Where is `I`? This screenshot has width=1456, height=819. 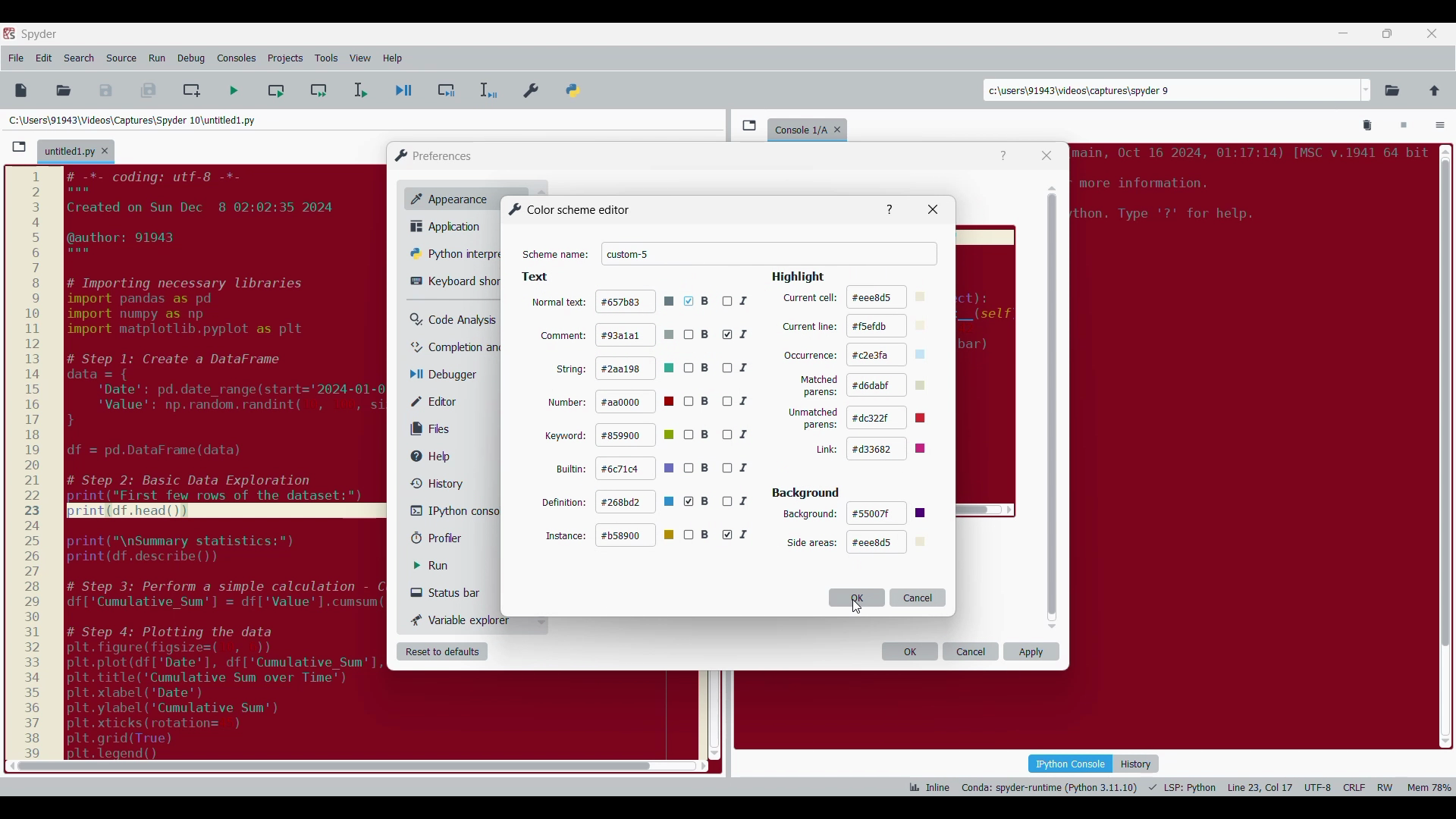
I is located at coordinates (741, 435).